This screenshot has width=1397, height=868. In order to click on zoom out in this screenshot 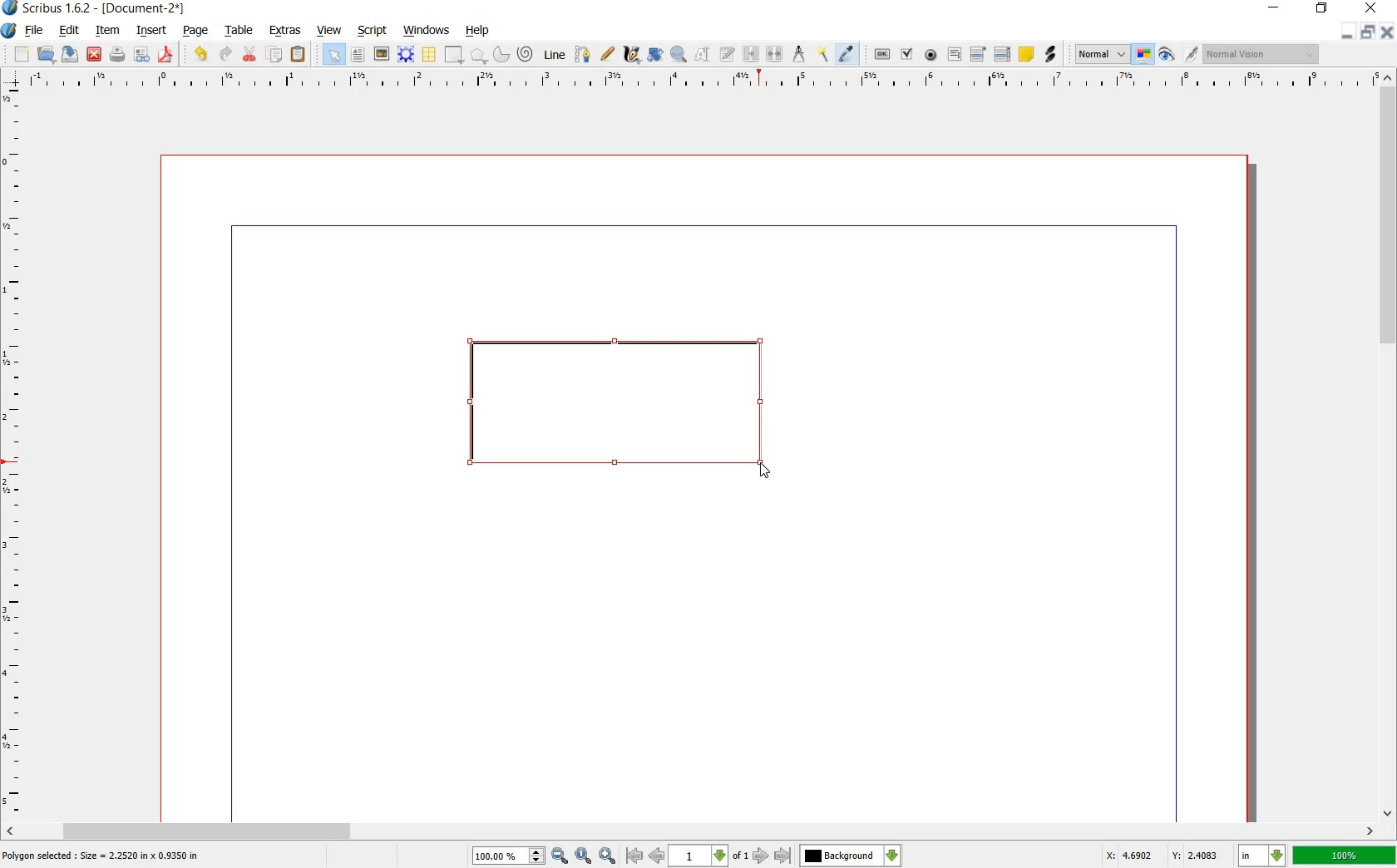, I will do `click(560, 856)`.